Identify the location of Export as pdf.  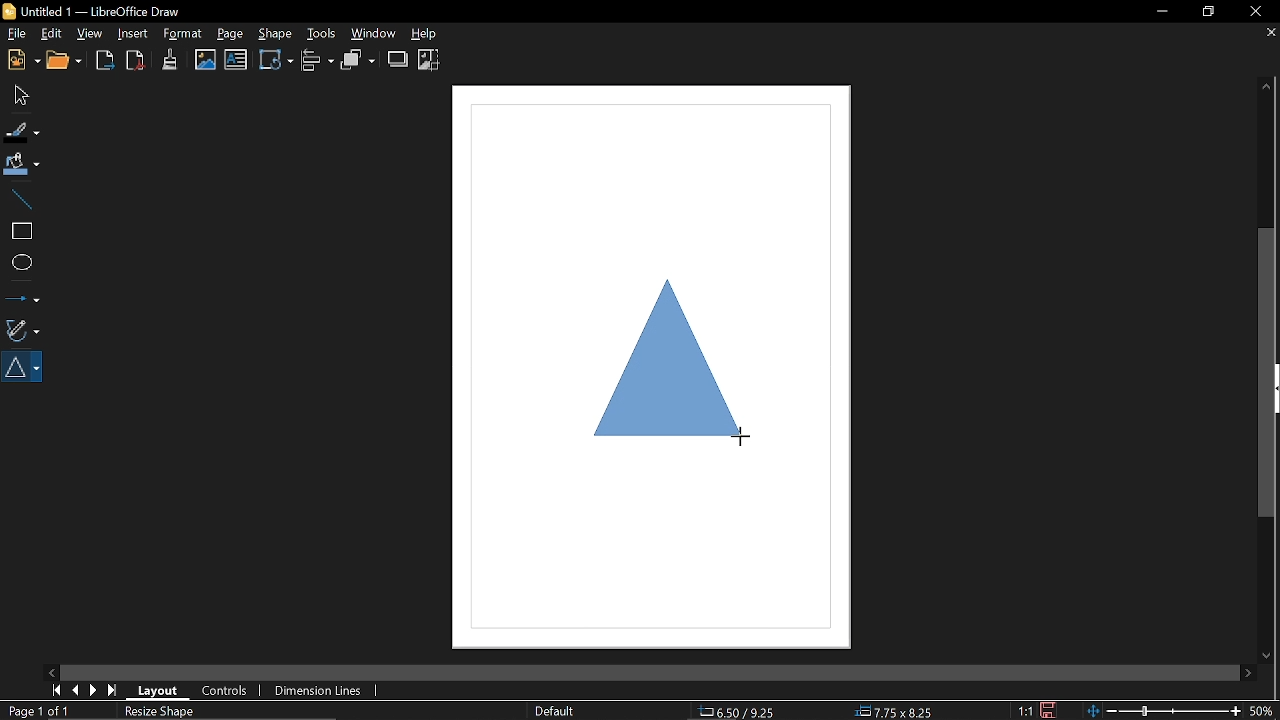
(136, 61).